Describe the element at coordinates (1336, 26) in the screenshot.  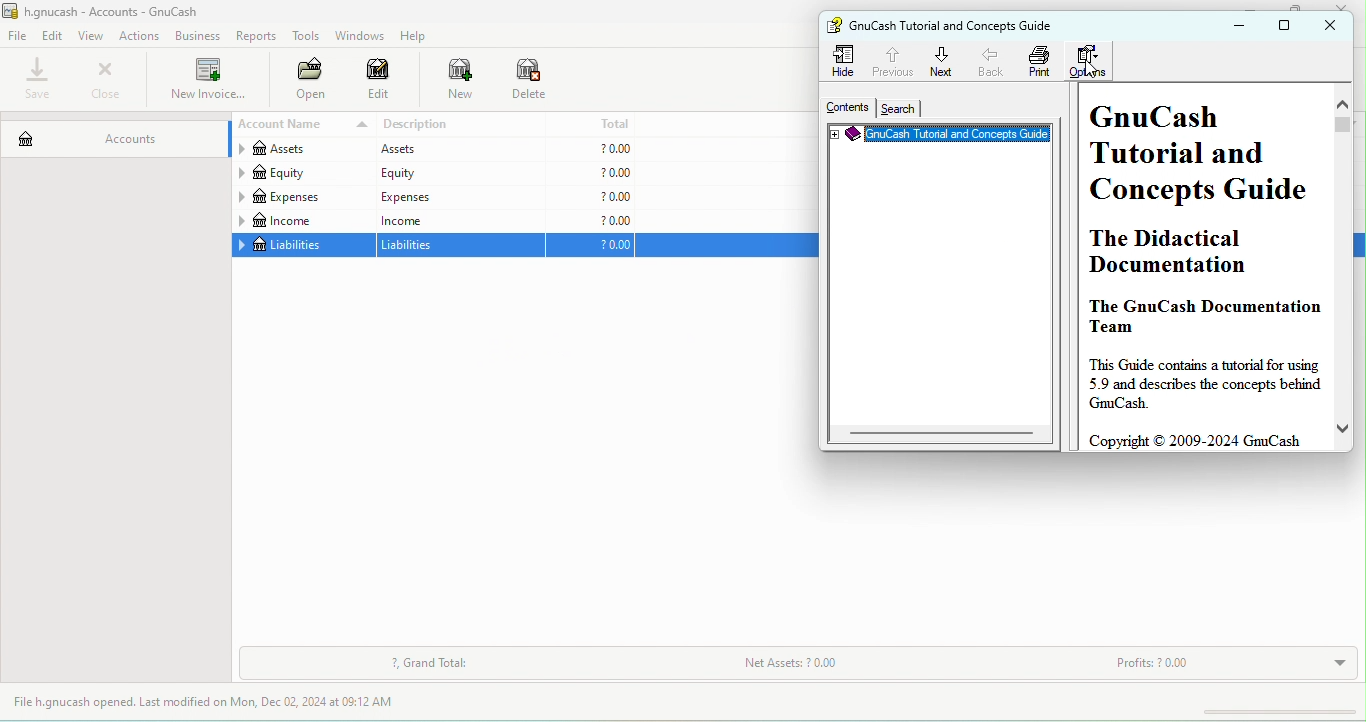
I see `close` at that location.